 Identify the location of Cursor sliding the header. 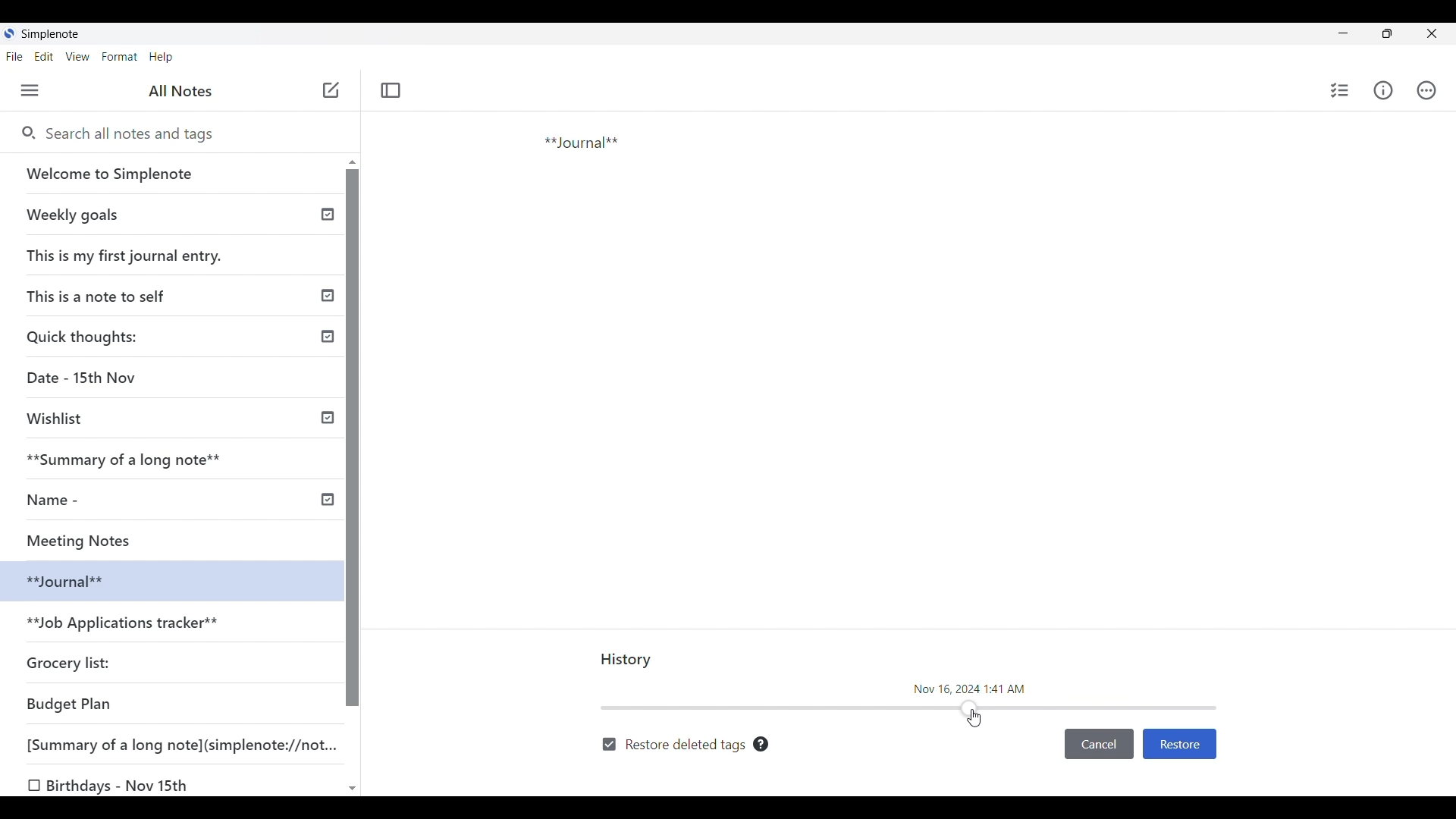
(974, 718).